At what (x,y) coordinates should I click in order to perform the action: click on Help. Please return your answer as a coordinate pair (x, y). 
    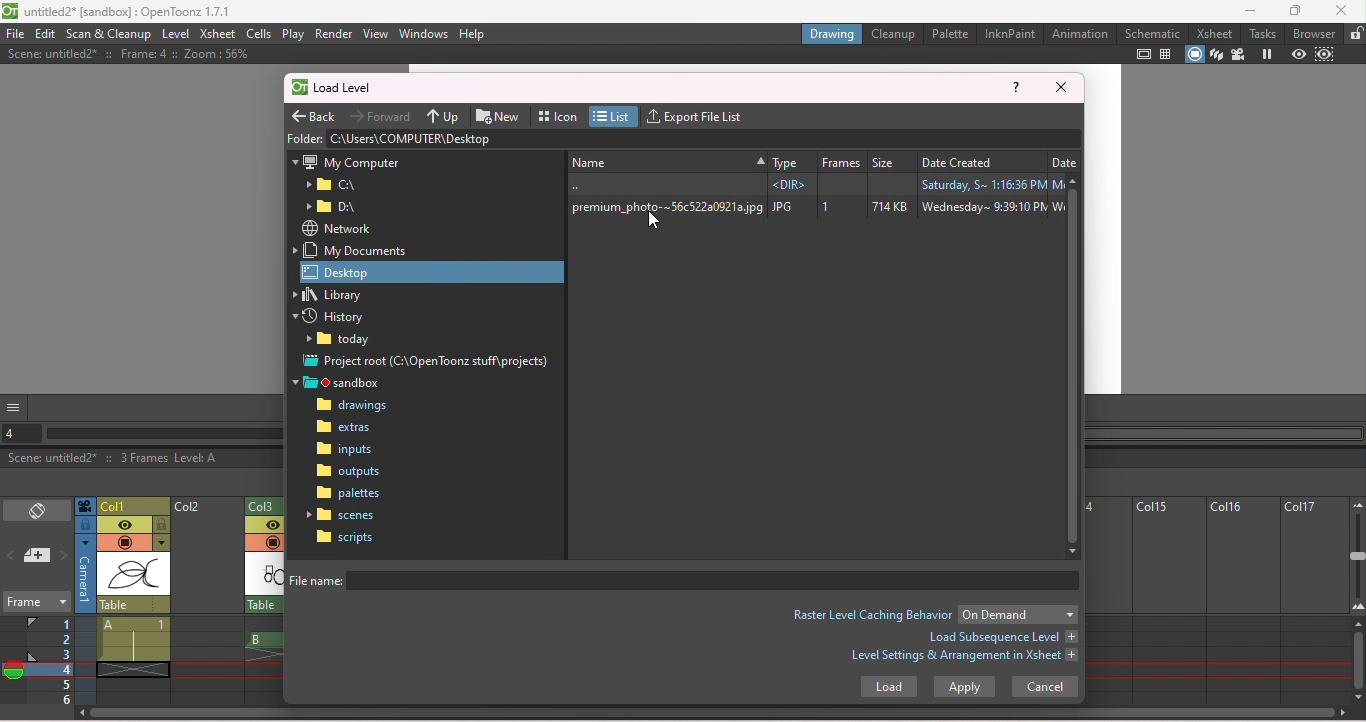
    Looking at the image, I should click on (473, 33).